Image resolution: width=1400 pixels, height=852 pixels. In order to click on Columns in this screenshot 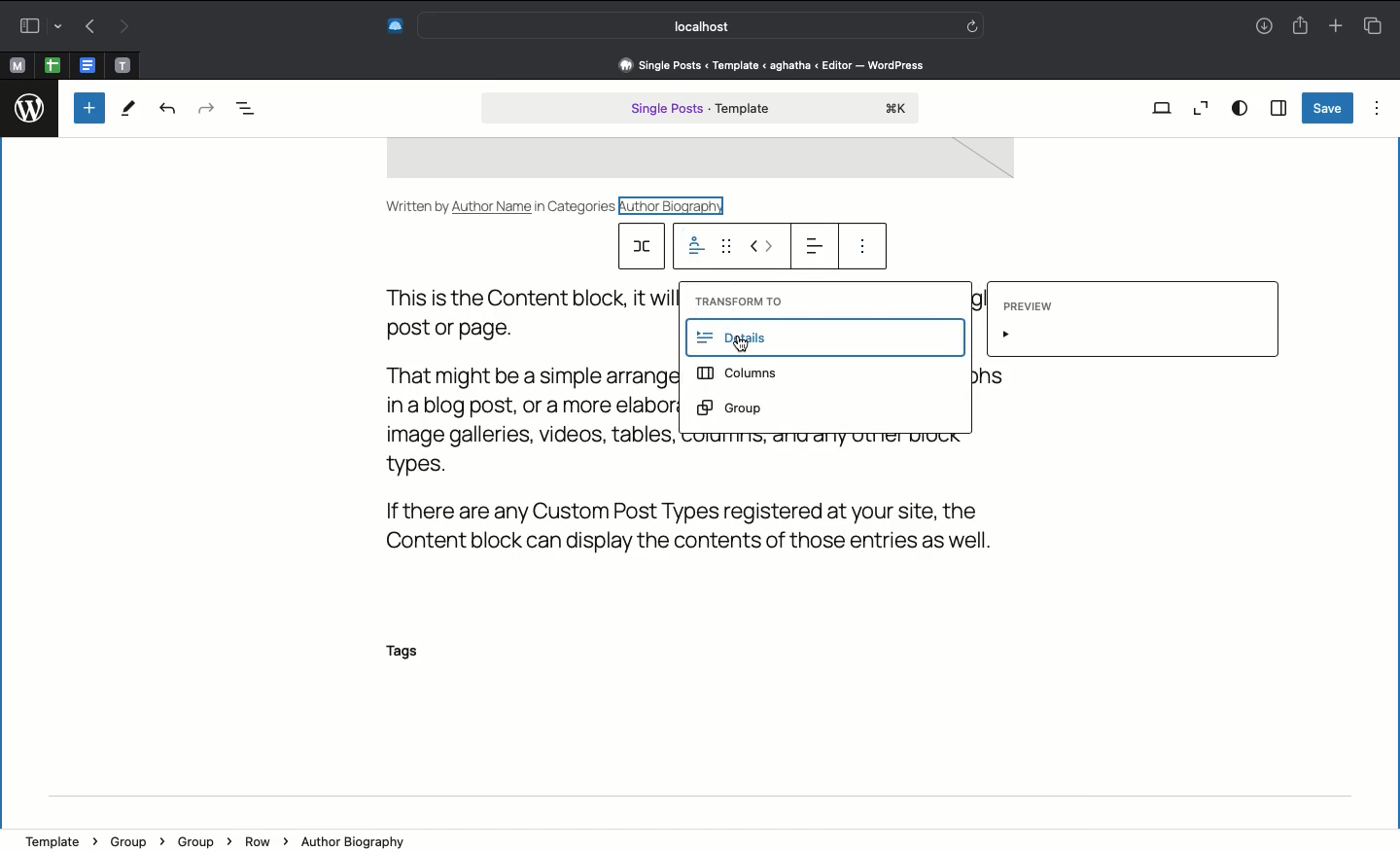, I will do `click(742, 376)`.